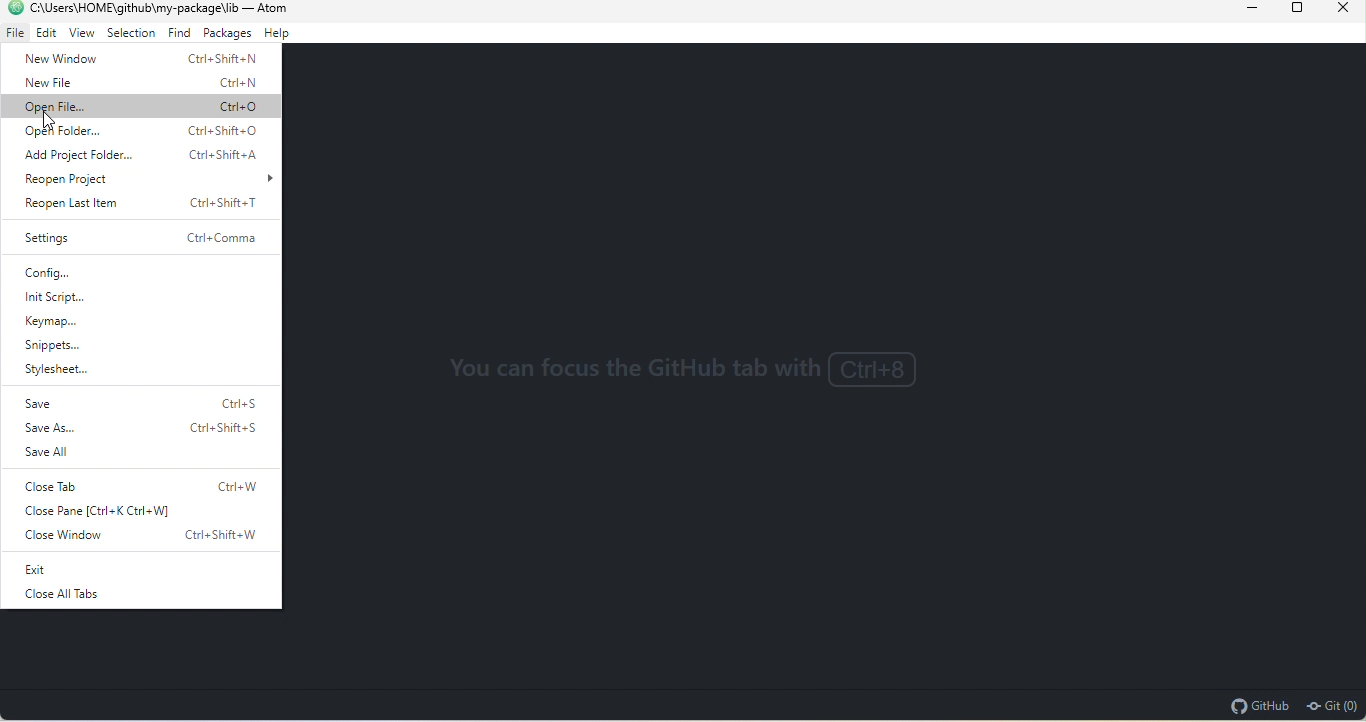  I want to click on new file, so click(136, 84).